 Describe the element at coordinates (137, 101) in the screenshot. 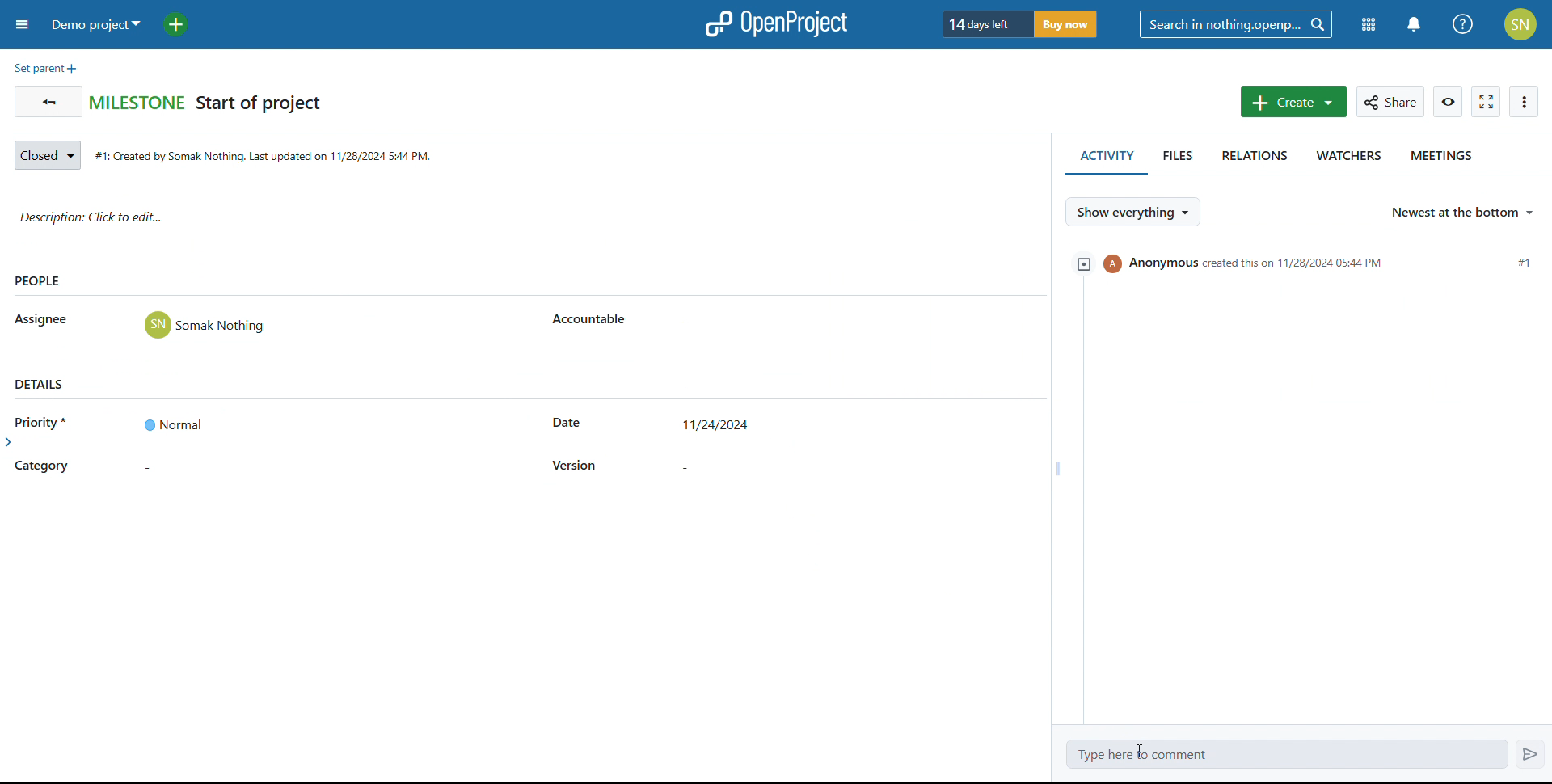

I see `milestone` at that location.